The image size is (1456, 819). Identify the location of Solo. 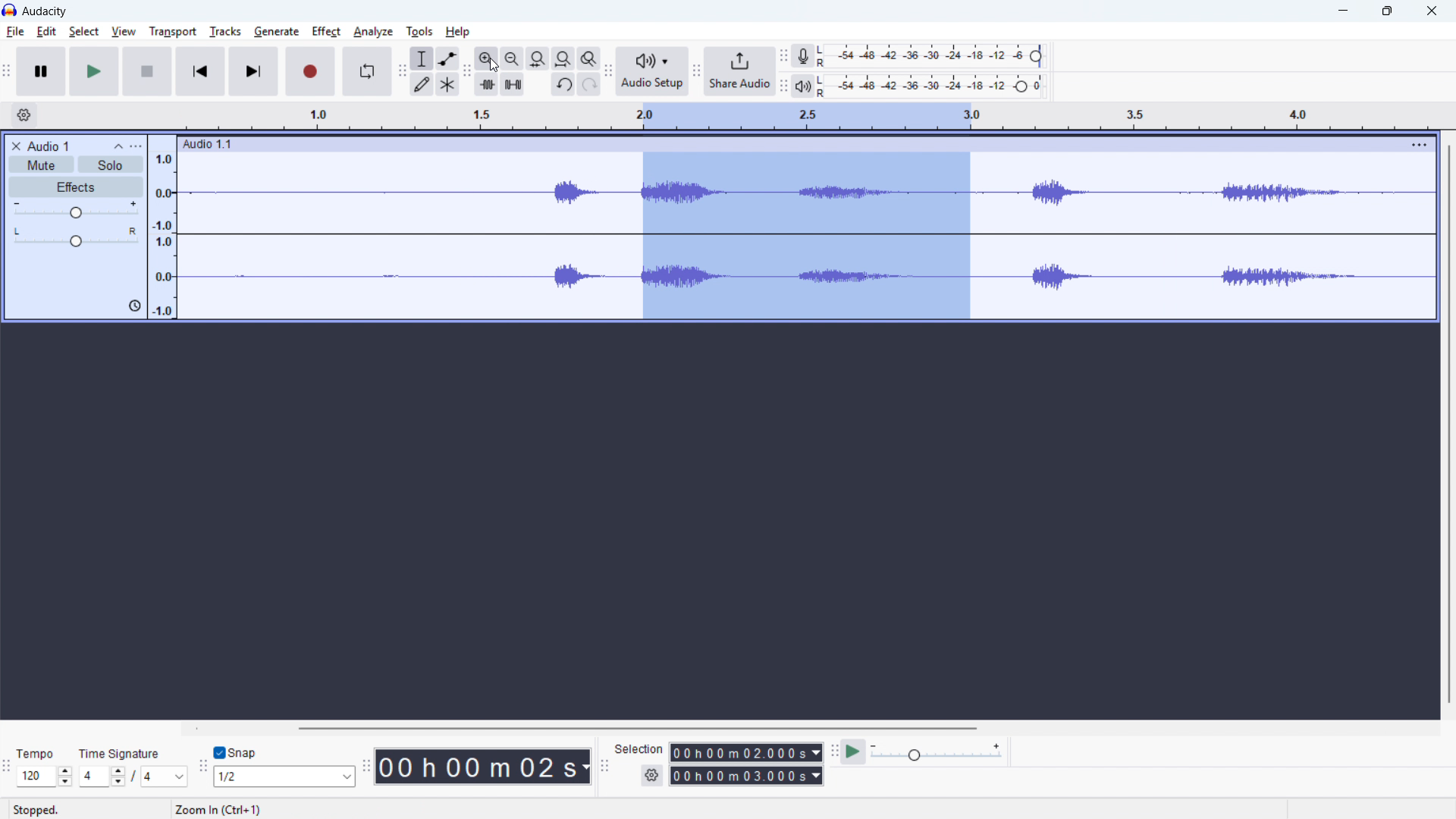
(111, 165).